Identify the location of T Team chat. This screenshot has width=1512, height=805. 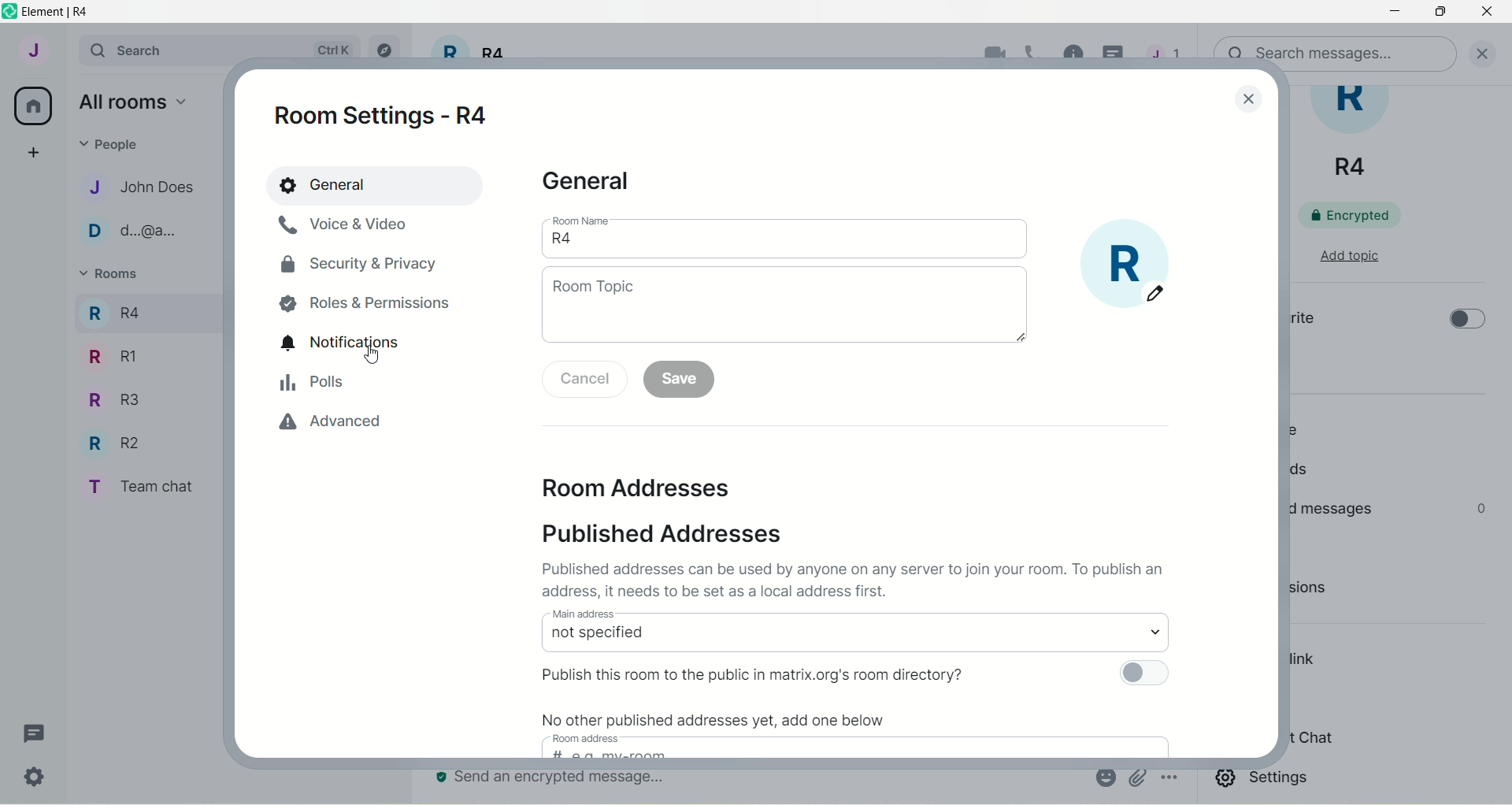
(135, 484).